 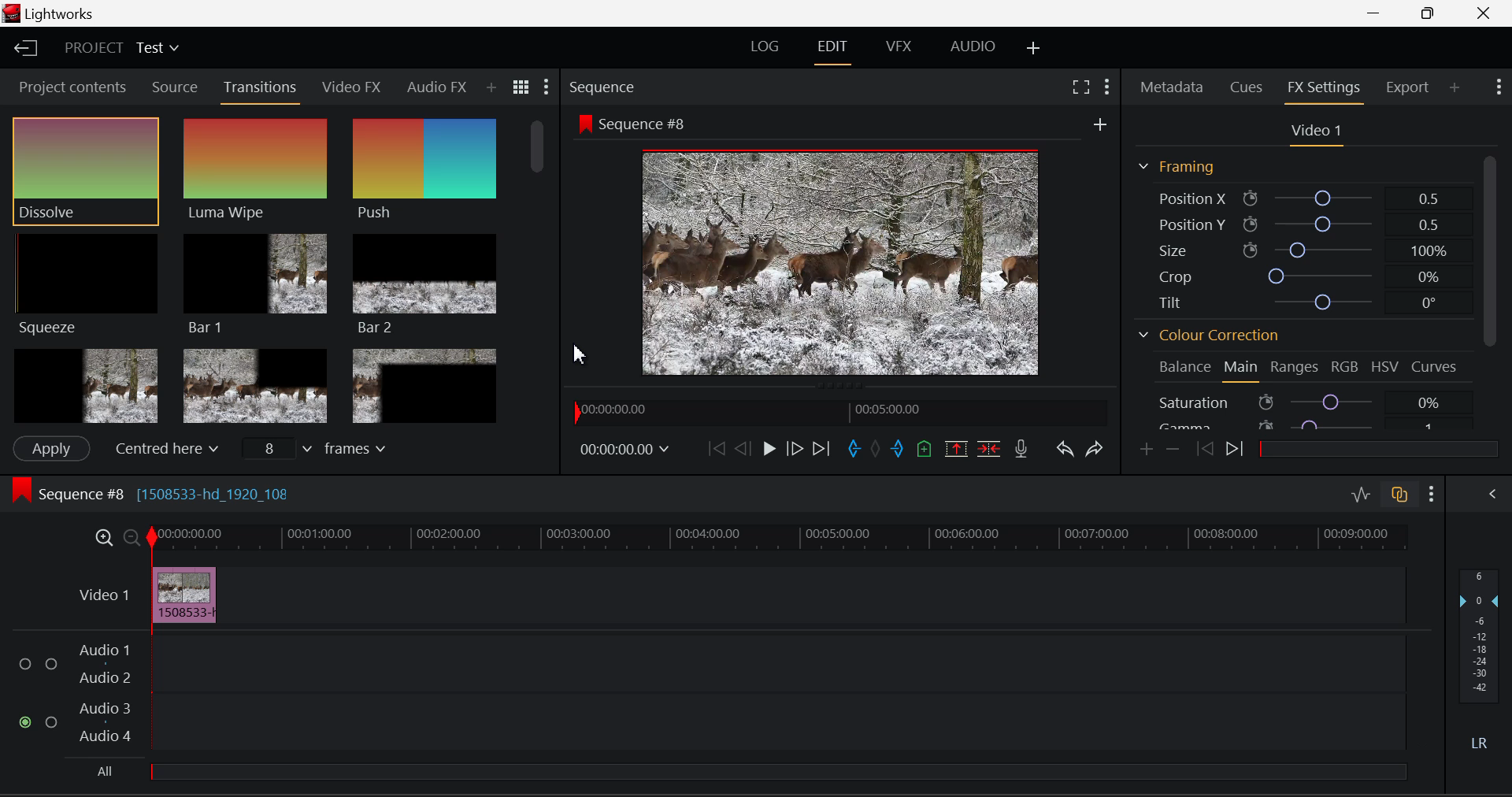 What do you see at coordinates (792, 449) in the screenshot?
I see `Go Forward` at bounding box center [792, 449].